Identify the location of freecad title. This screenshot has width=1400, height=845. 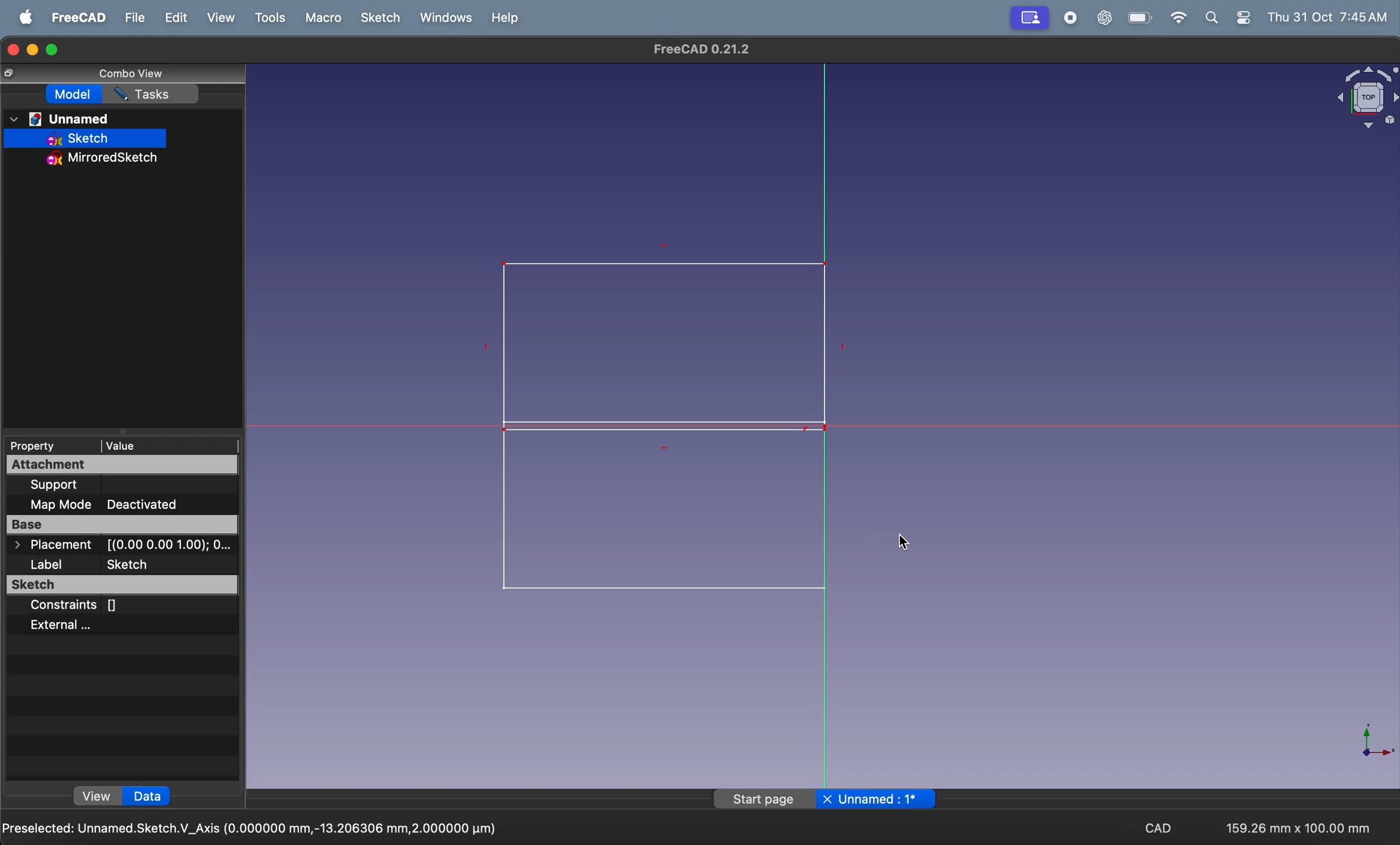
(701, 50).